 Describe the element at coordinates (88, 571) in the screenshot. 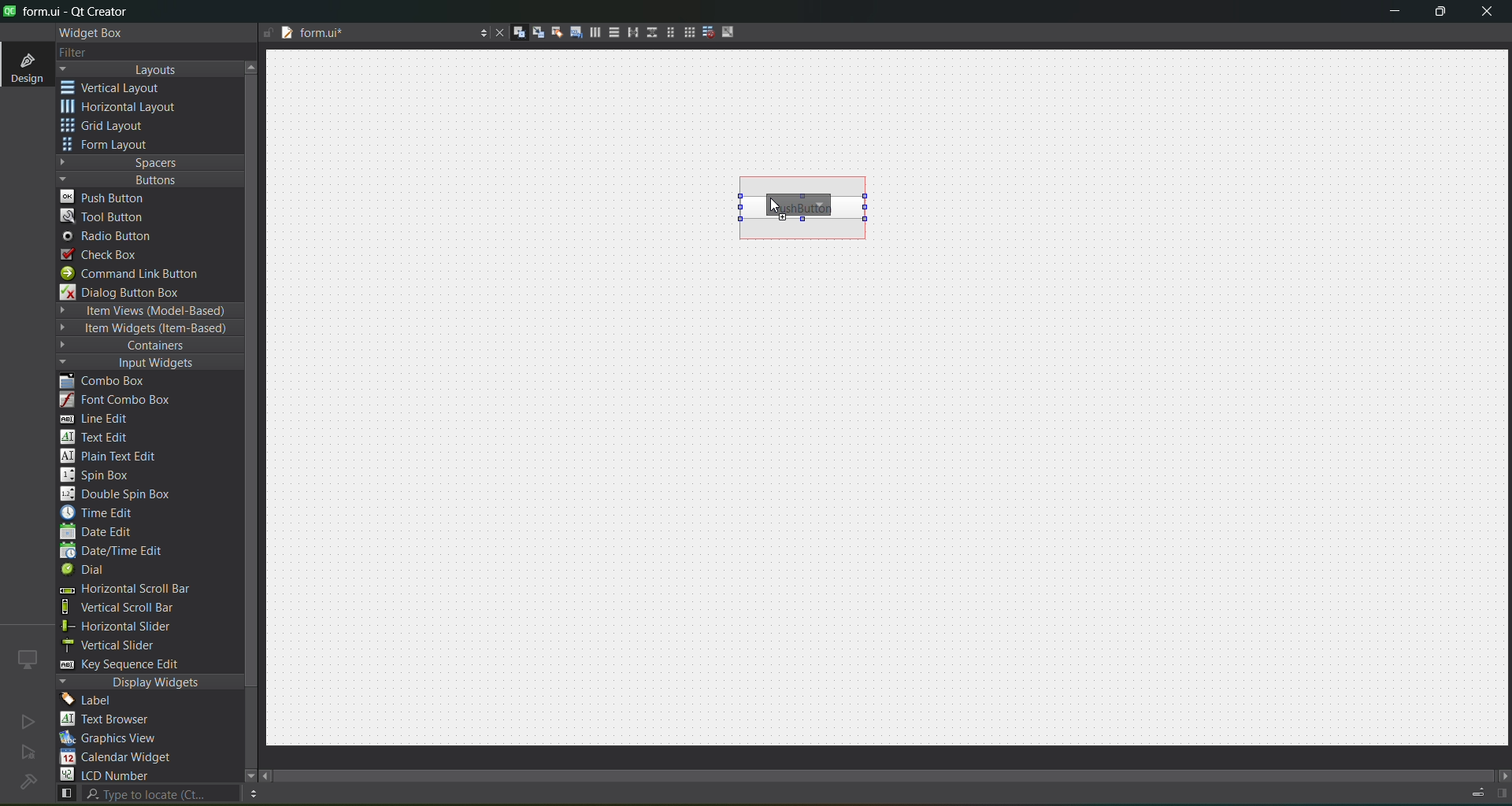

I see `dial` at that location.